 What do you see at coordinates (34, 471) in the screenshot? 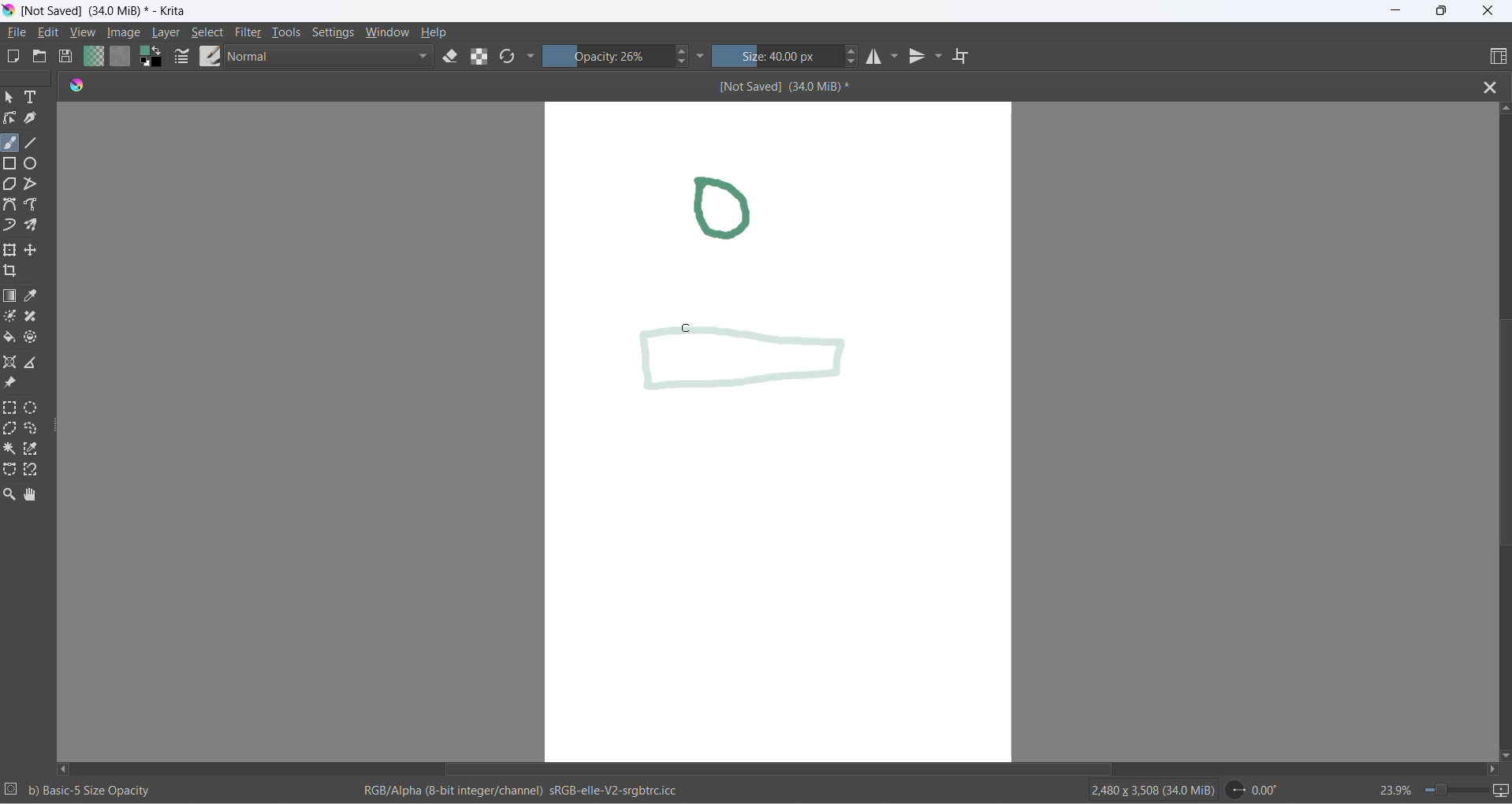
I see `magnetic curve selection tool` at bounding box center [34, 471].